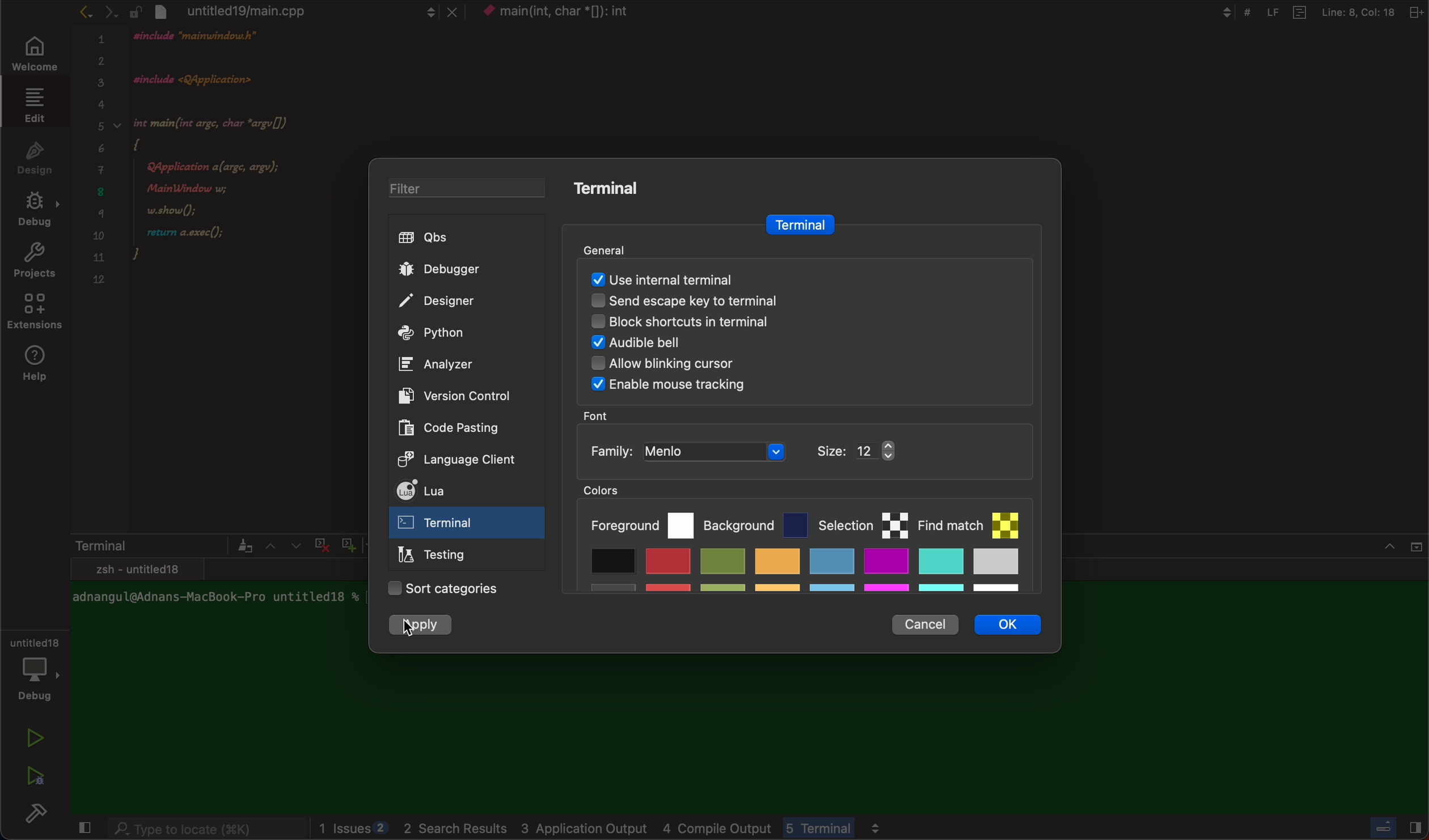 The height and width of the screenshot is (840, 1429). I want to click on terminal, so click(616, 188).